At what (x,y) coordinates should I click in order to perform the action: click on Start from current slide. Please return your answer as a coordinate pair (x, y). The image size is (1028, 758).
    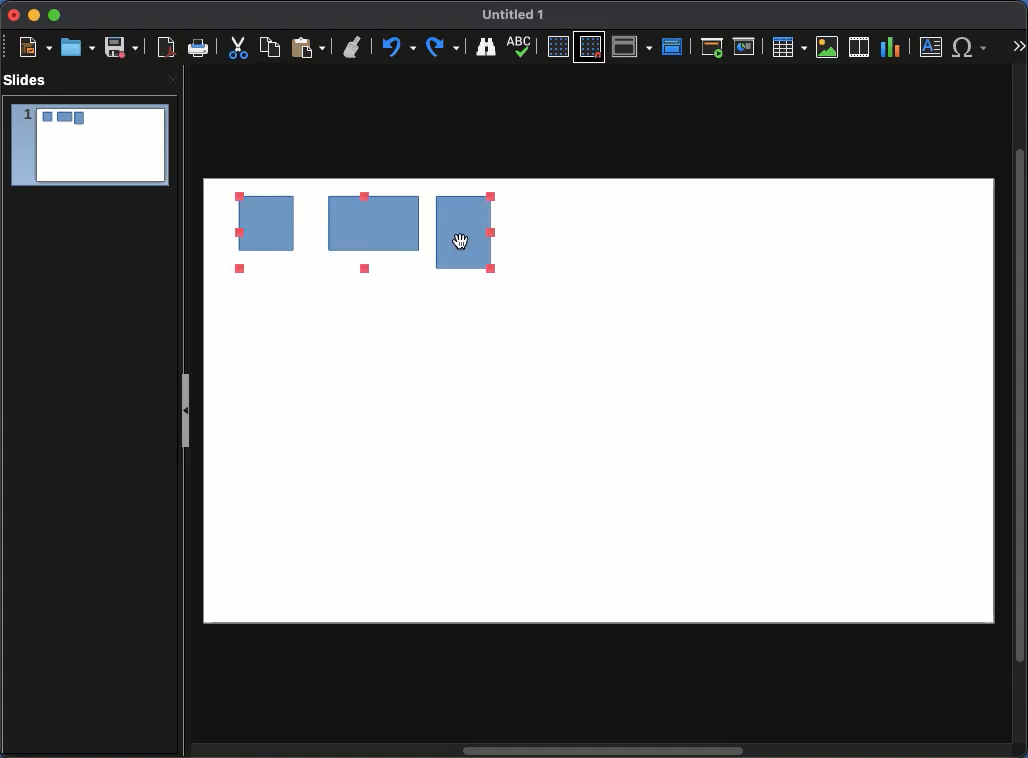
    Looking at the image, I should click on (745, 45).